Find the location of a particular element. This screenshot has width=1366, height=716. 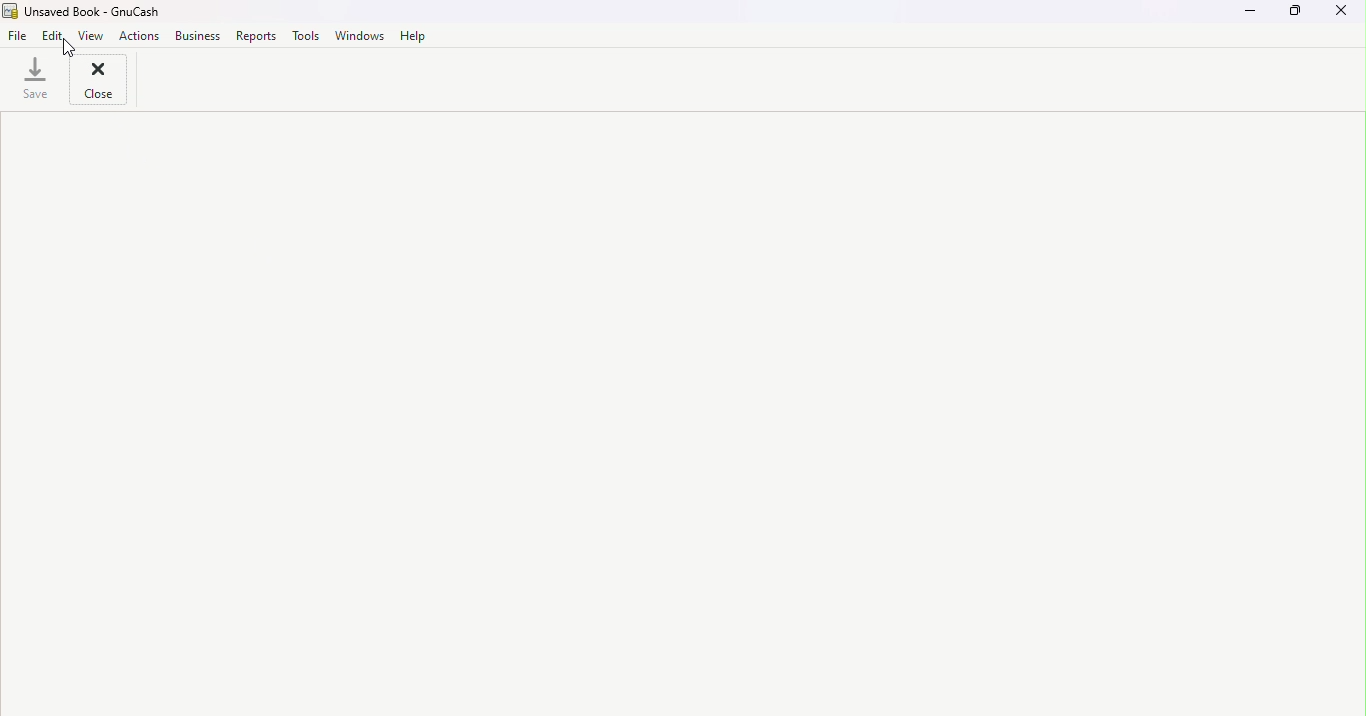

Tools is located at coordinates (308, 36).